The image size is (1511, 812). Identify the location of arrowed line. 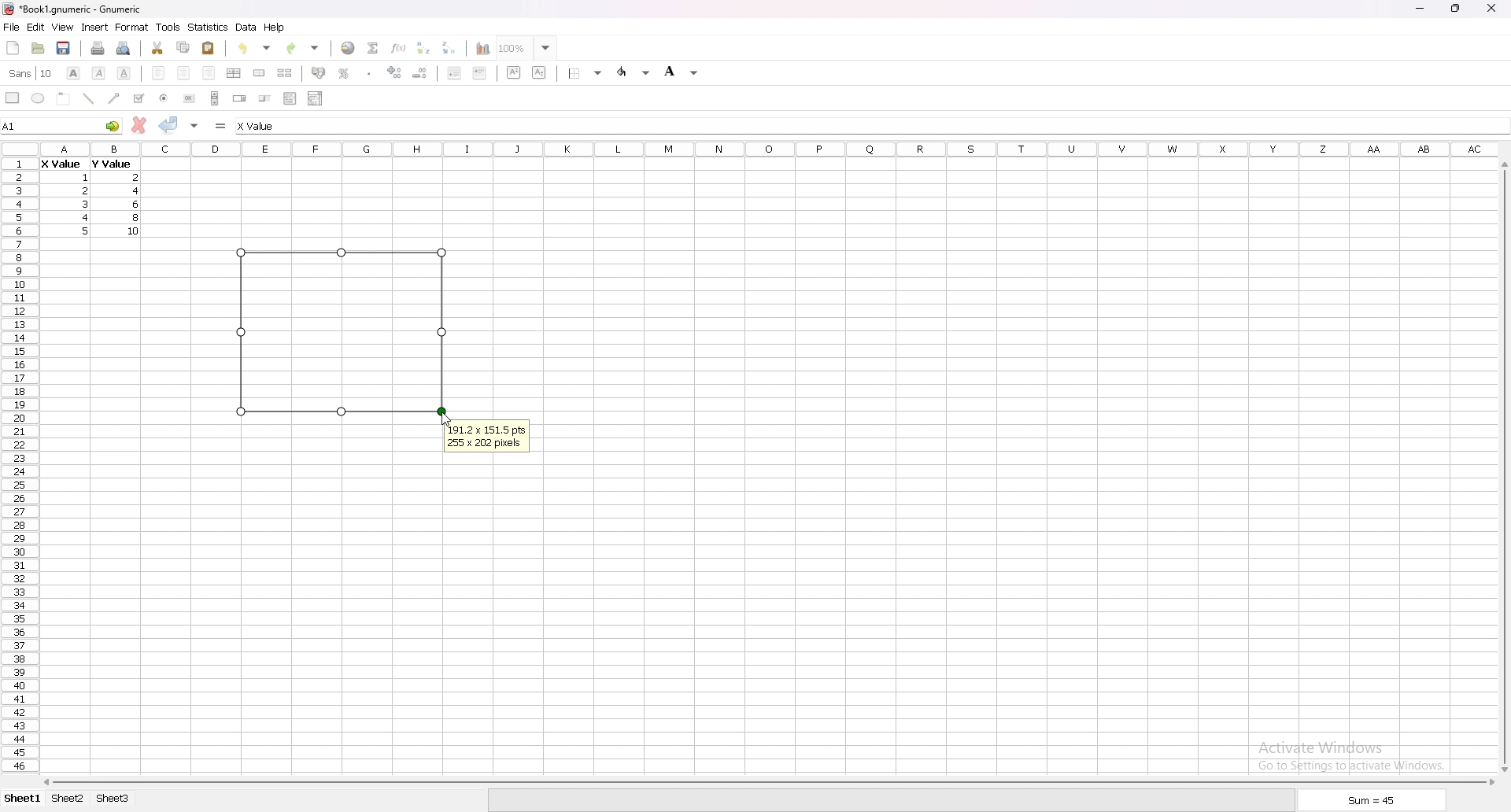
(115, 98).